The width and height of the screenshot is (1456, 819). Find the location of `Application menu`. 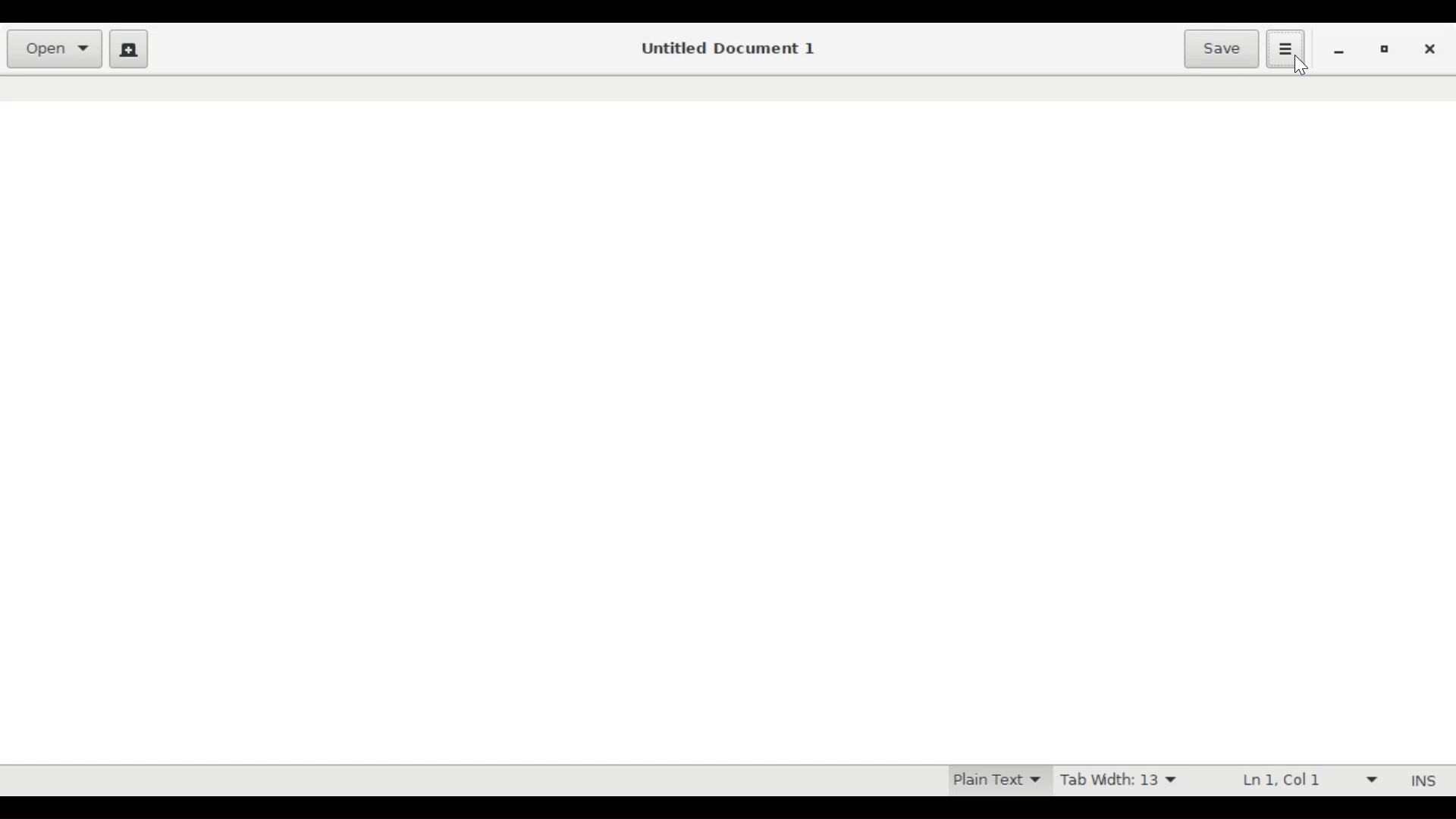

Application menu is located at coordinates (1285, 48).